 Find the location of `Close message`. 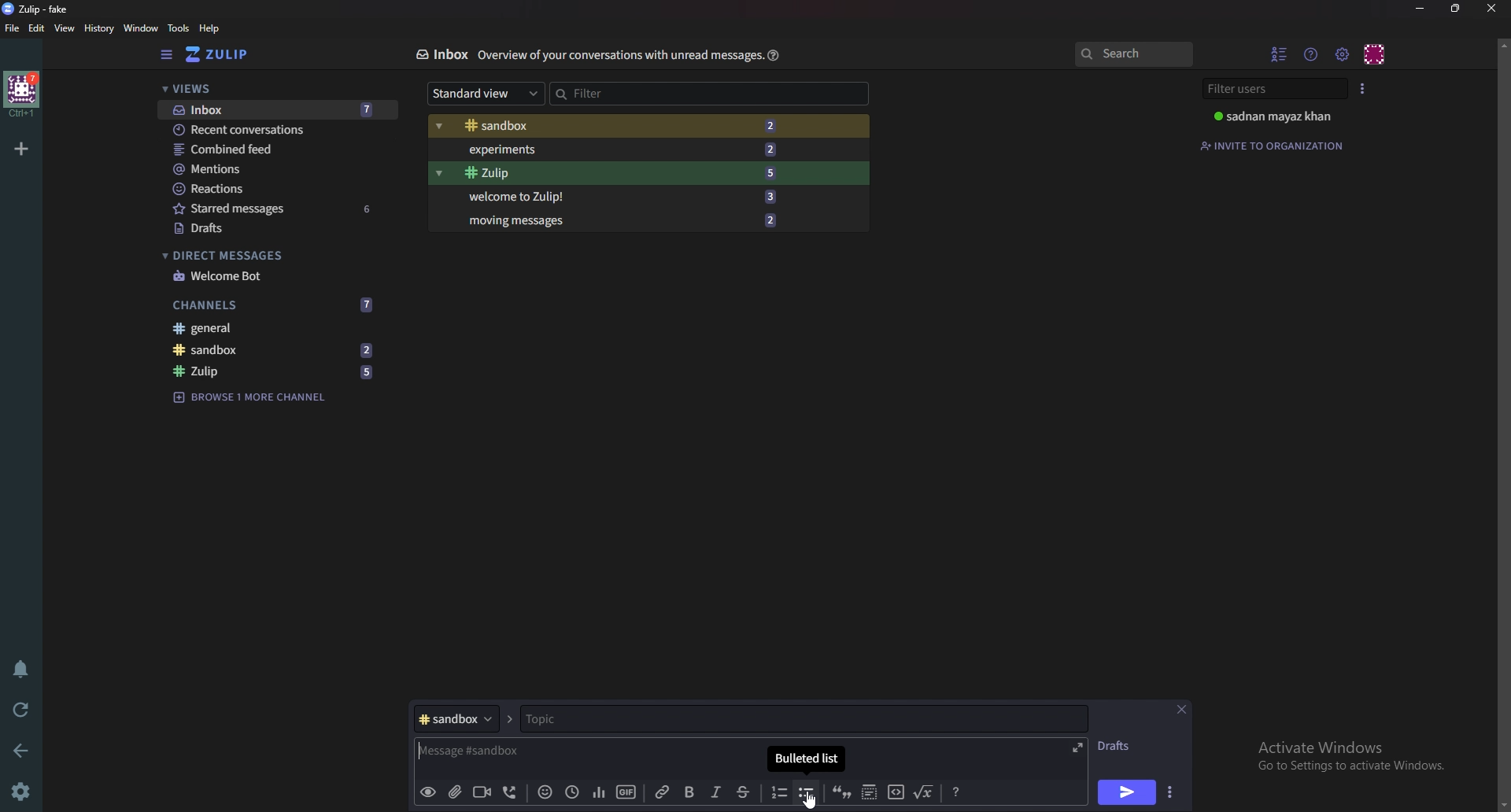

Close message is located at coordinates (1180, 710).